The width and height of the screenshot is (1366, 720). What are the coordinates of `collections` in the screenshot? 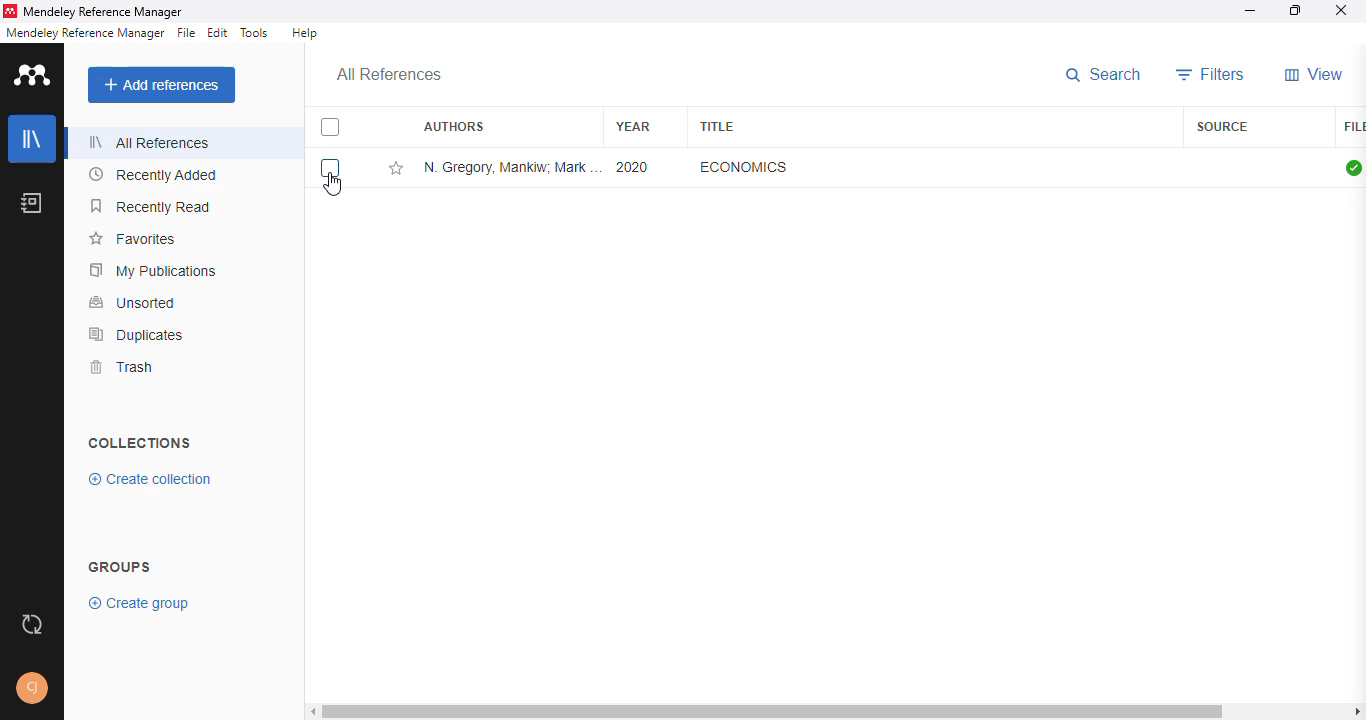 It's located at (139, 443).